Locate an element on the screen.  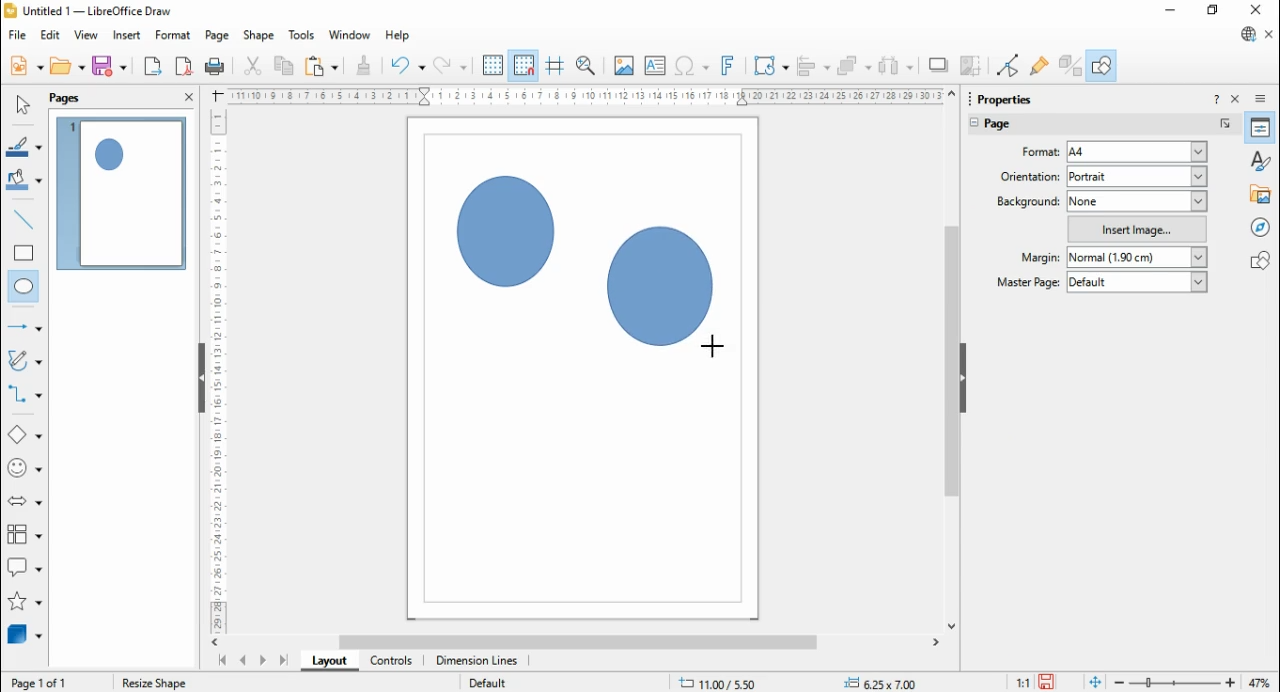
navigator is located at coordinates (1262, 226).